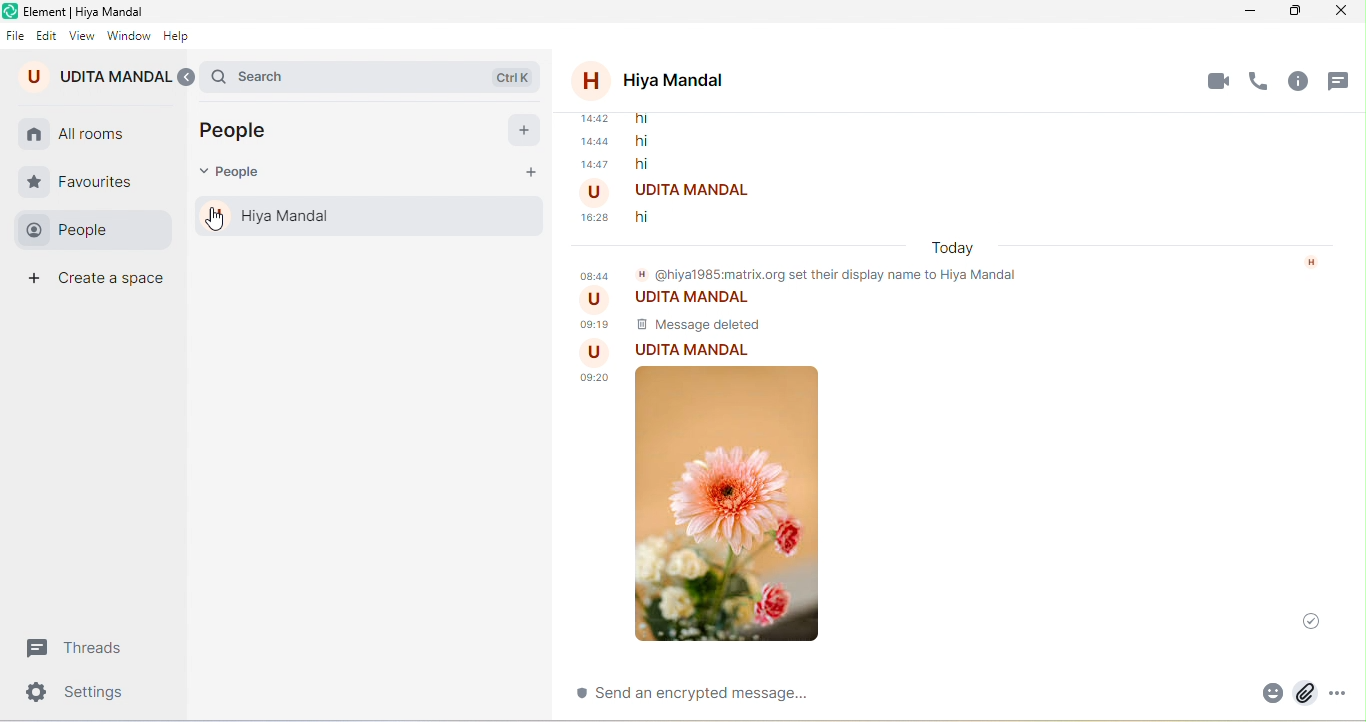  Describe the element at coordinates (642, 119) in the screenshot. I see `message` at that location.